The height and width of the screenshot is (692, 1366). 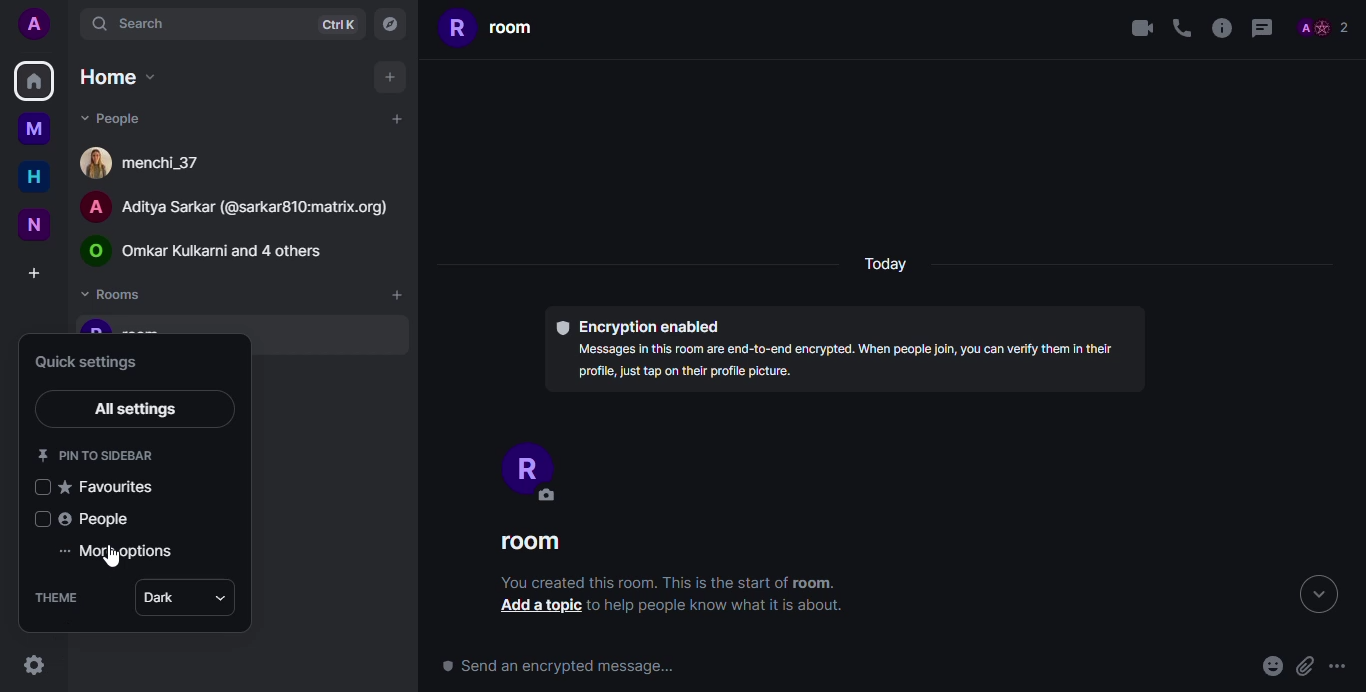 I want to click on room, so click(x=536, y=544).